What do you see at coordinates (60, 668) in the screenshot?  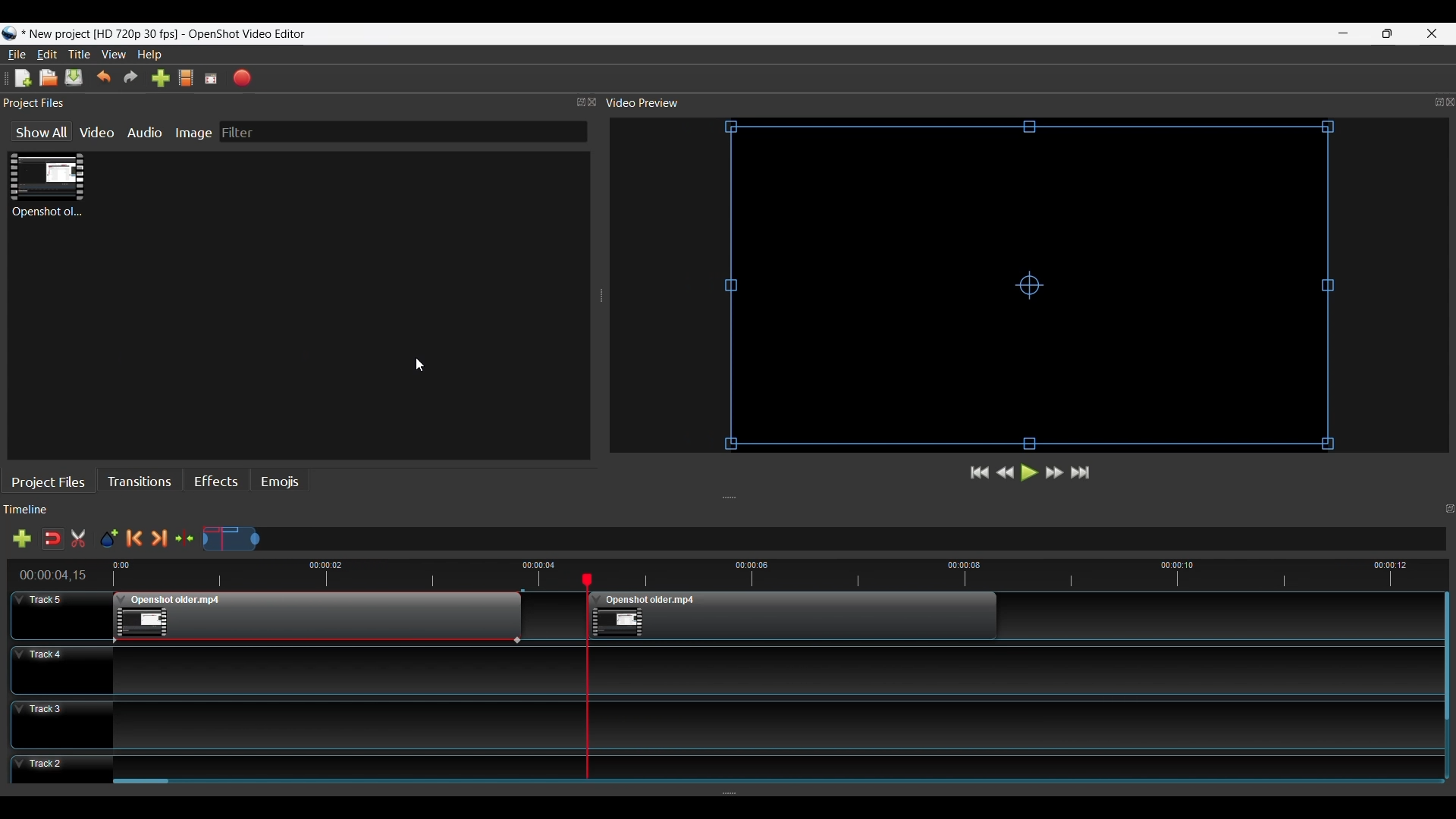 I see `Track Header` at bounding box center [60, 668].